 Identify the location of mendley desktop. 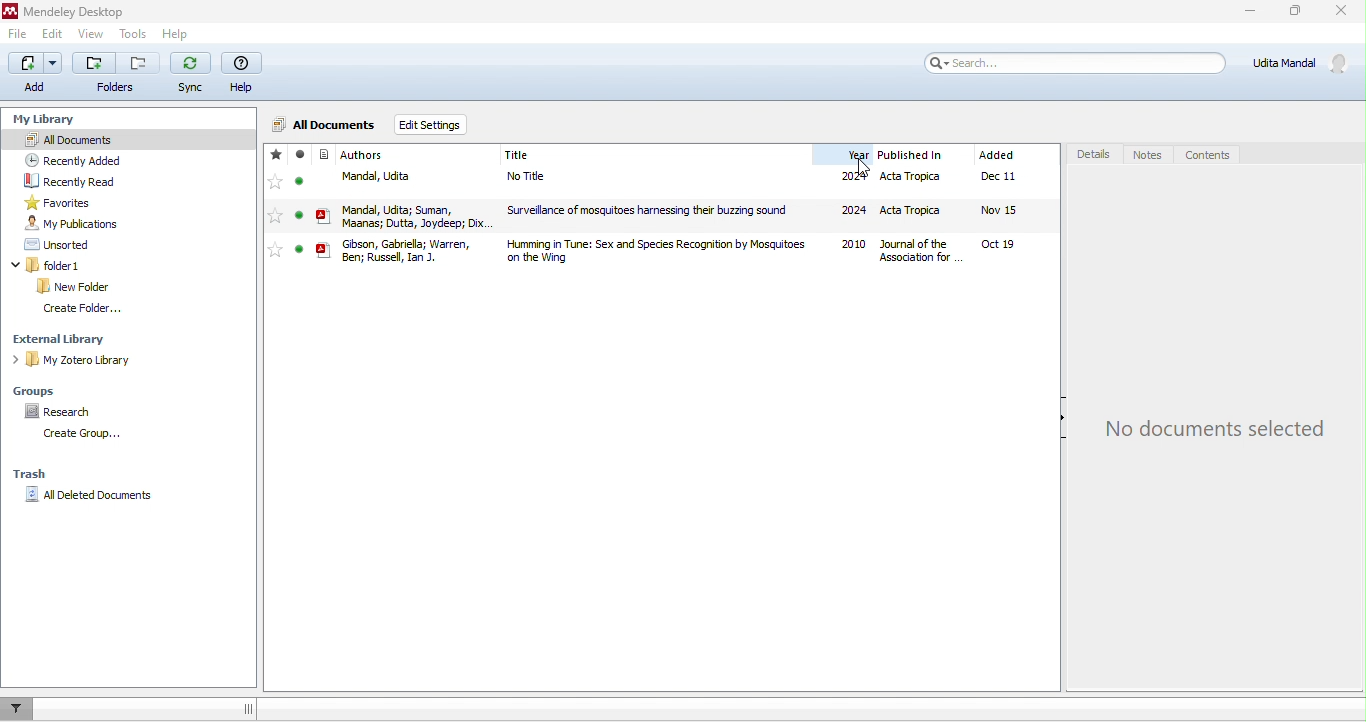
(68, 13).